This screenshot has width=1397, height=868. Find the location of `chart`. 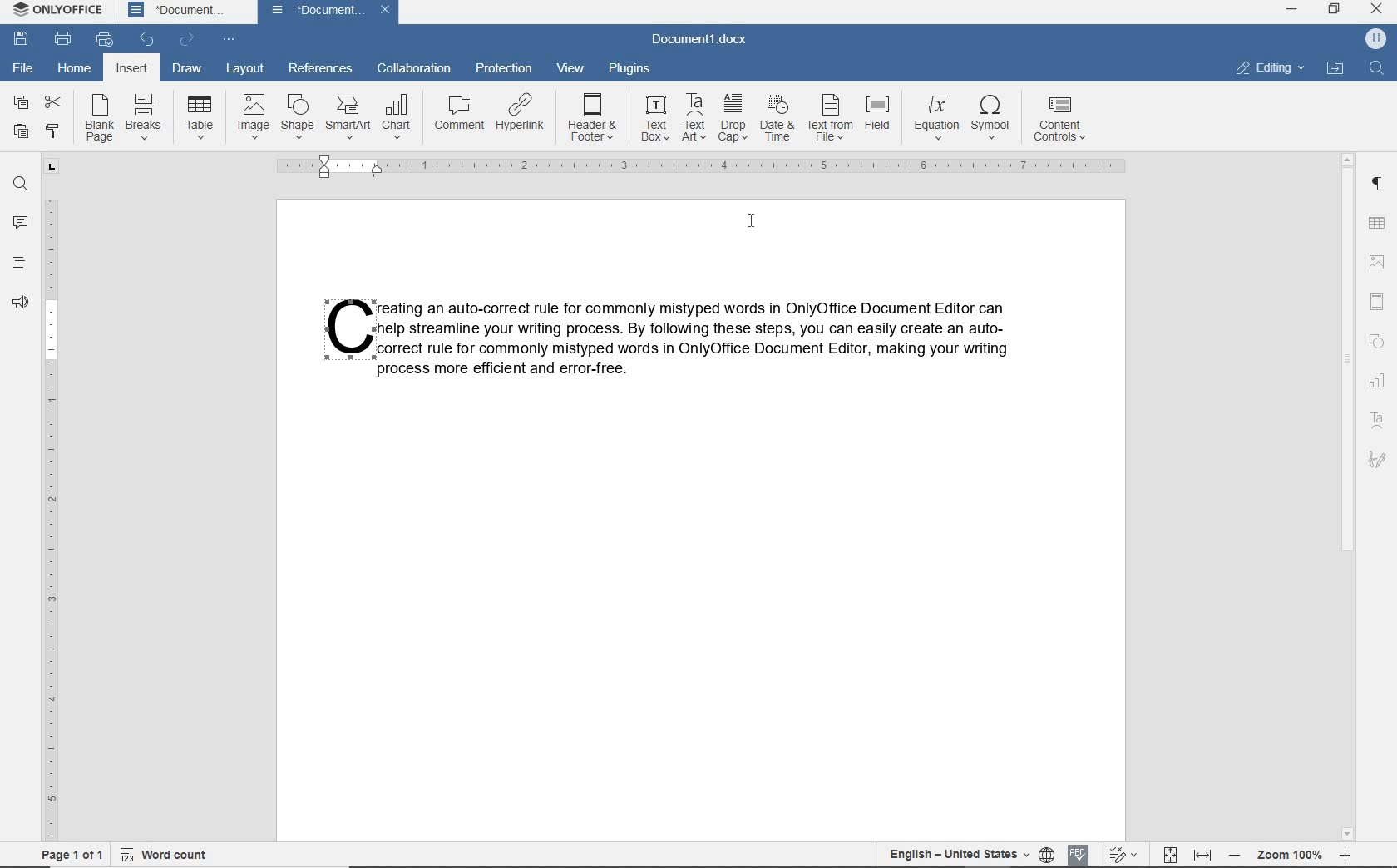

chart is located at coordinates (397, 117).